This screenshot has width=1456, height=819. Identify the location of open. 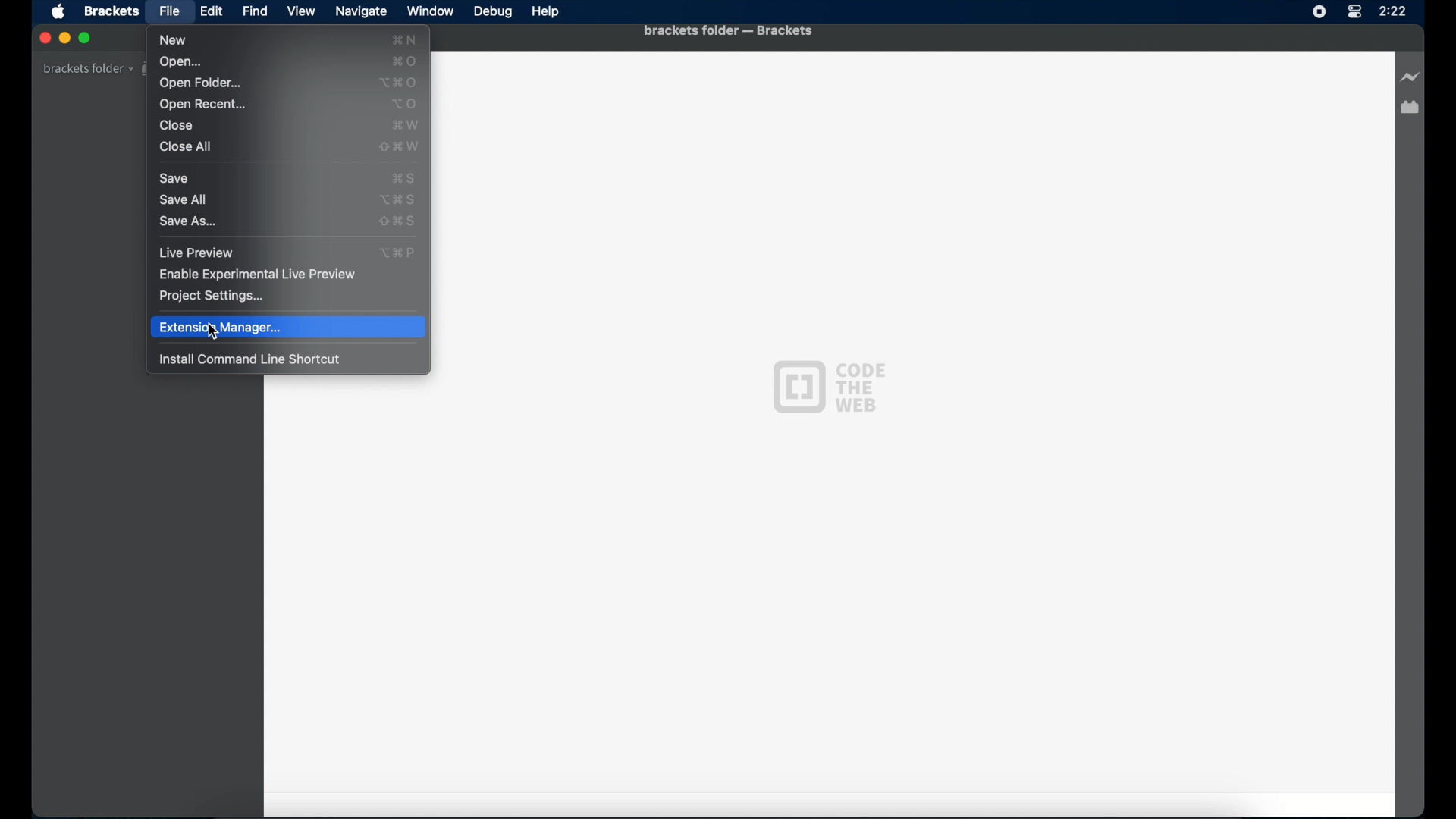
(183, 62).